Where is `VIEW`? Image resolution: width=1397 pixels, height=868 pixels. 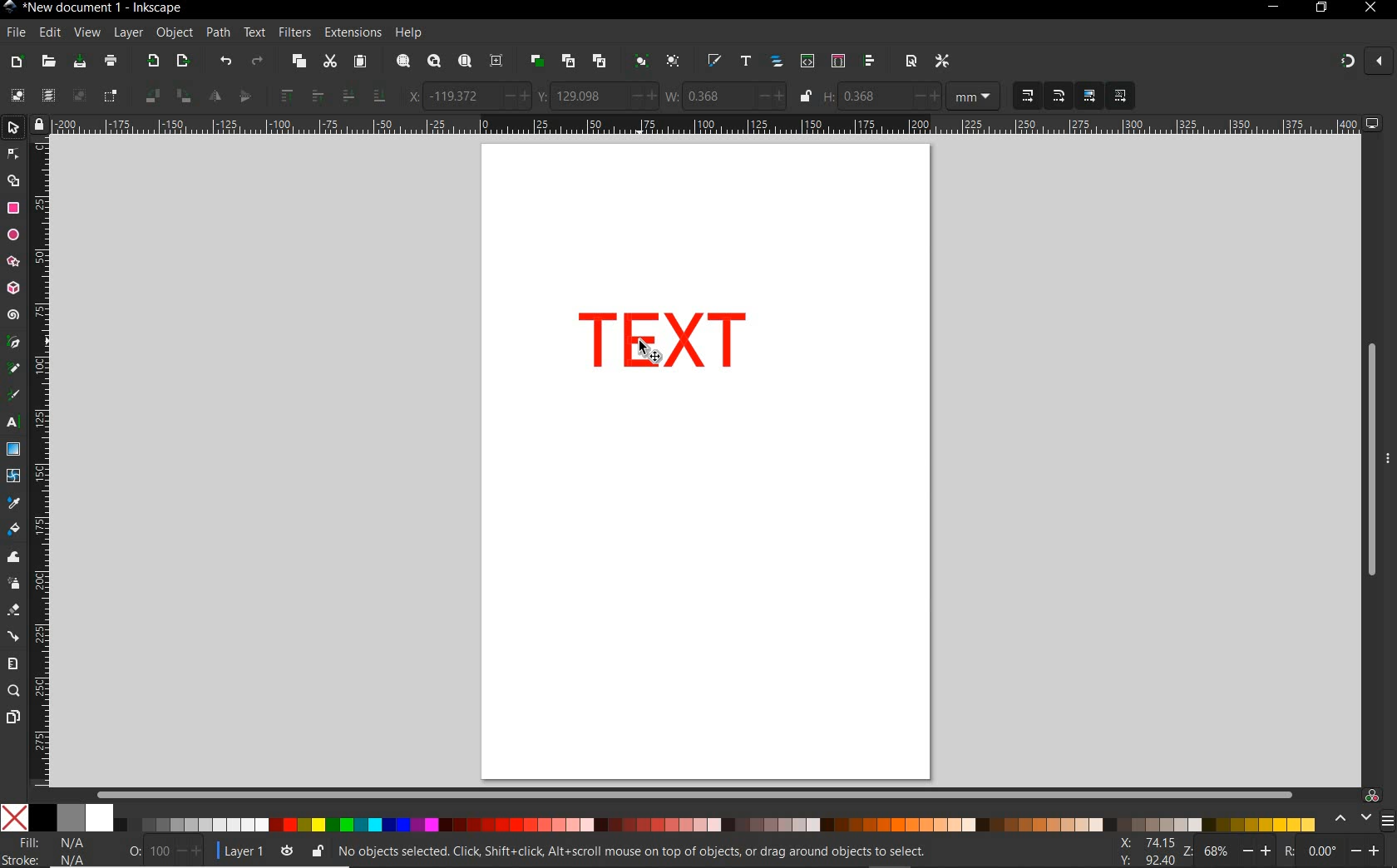
VIEW is located at coordinates (86, 33).